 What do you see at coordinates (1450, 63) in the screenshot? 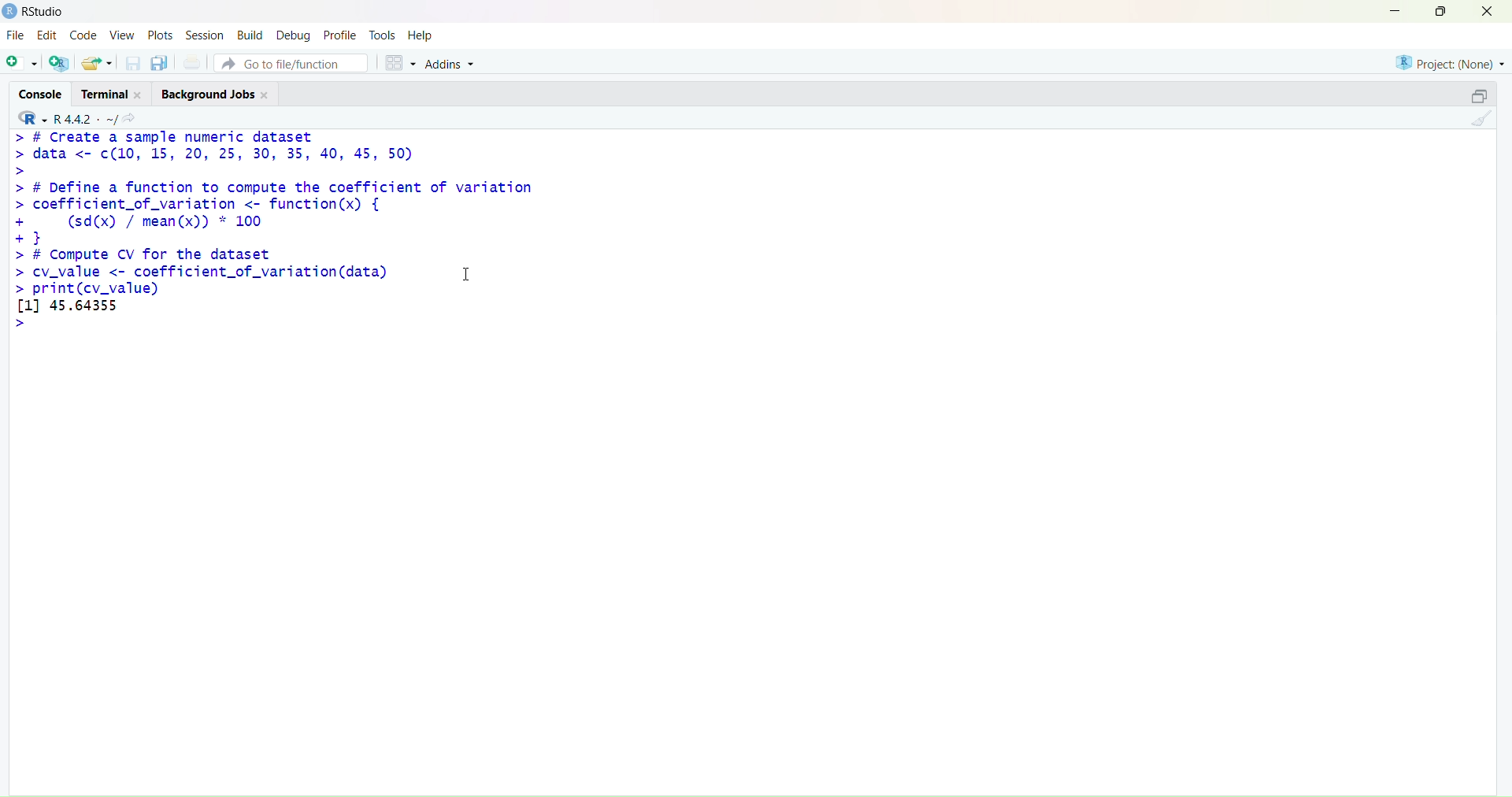
I see `project (none)` at bounding box center [1450, 63].